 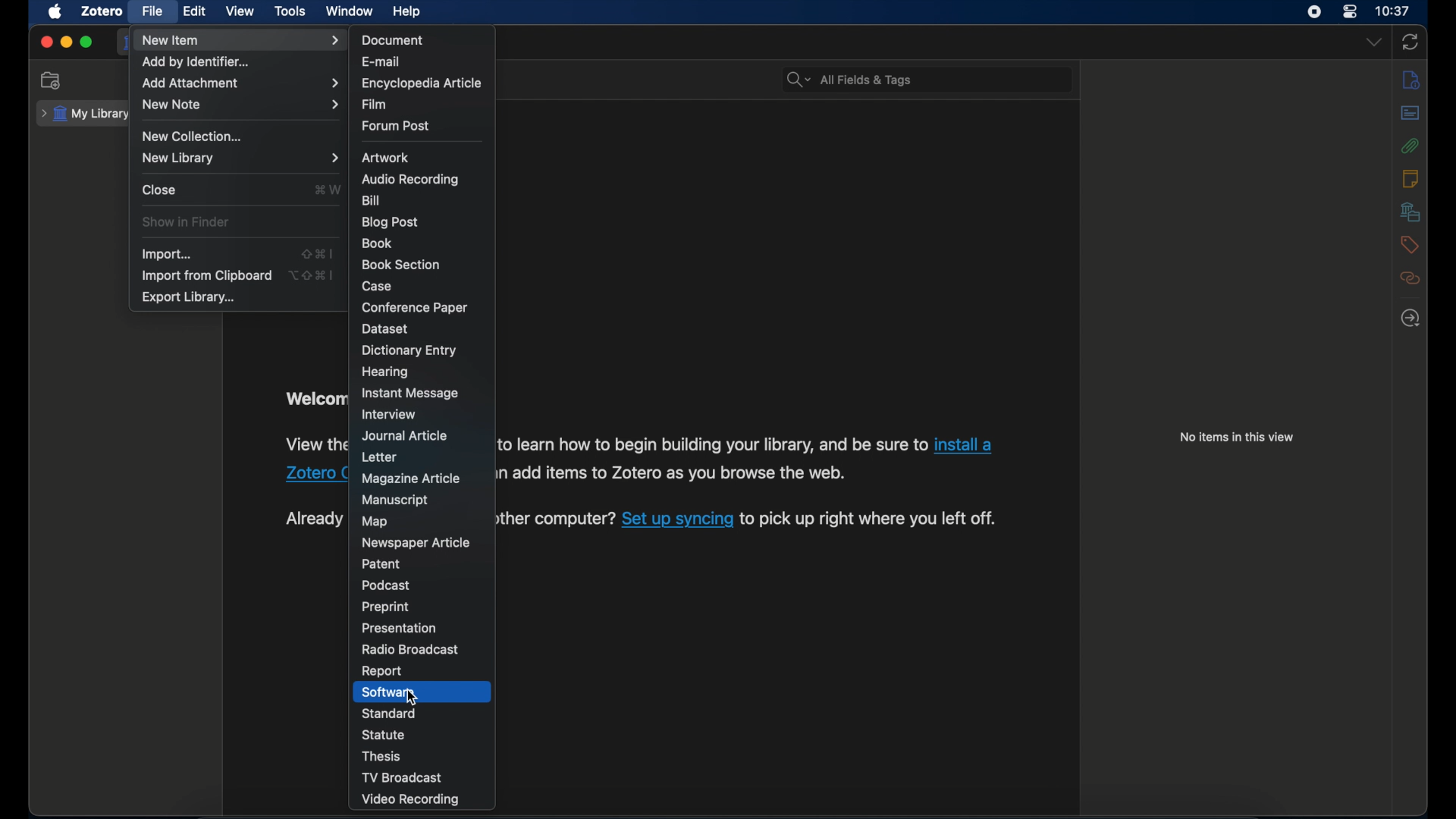 What do you see at coordinates (423, 82) in the screenshot?
I see `encyclopedia article` at bounding box center [423, 82].